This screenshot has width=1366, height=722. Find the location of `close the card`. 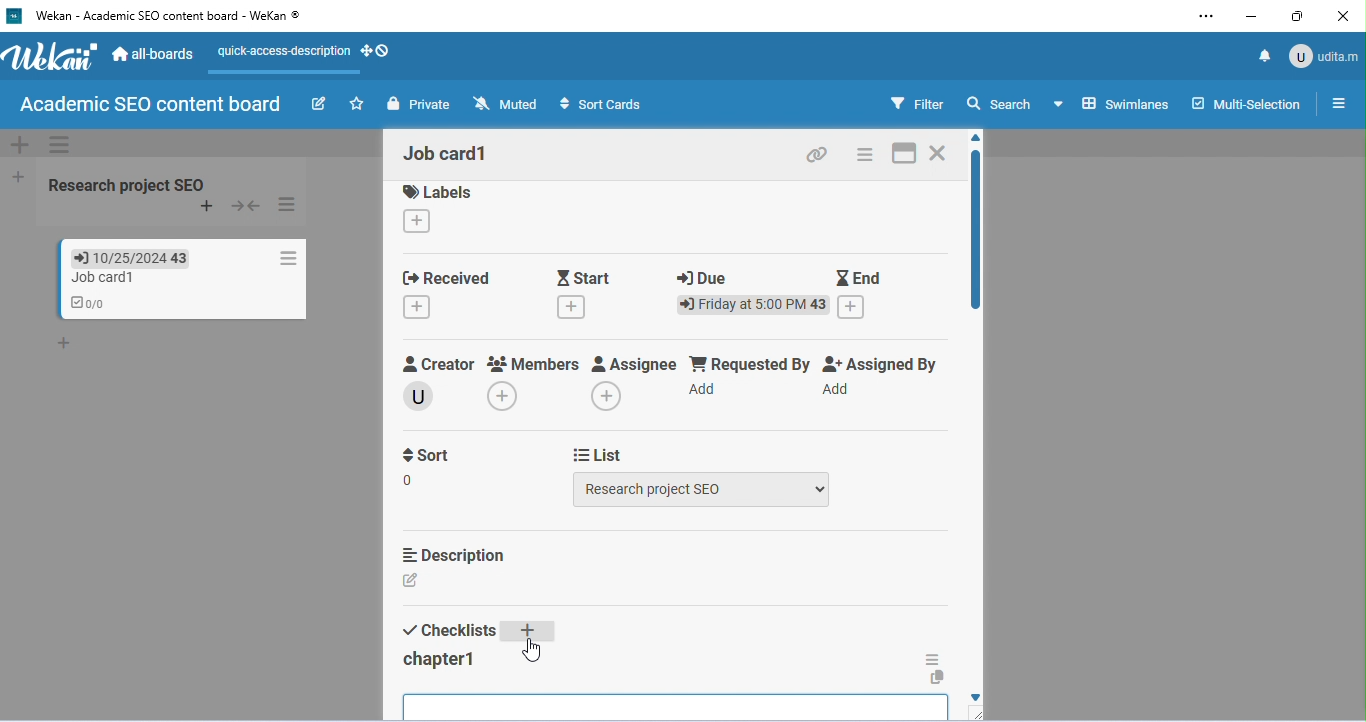

close the card is located at coordinates (941, 153).